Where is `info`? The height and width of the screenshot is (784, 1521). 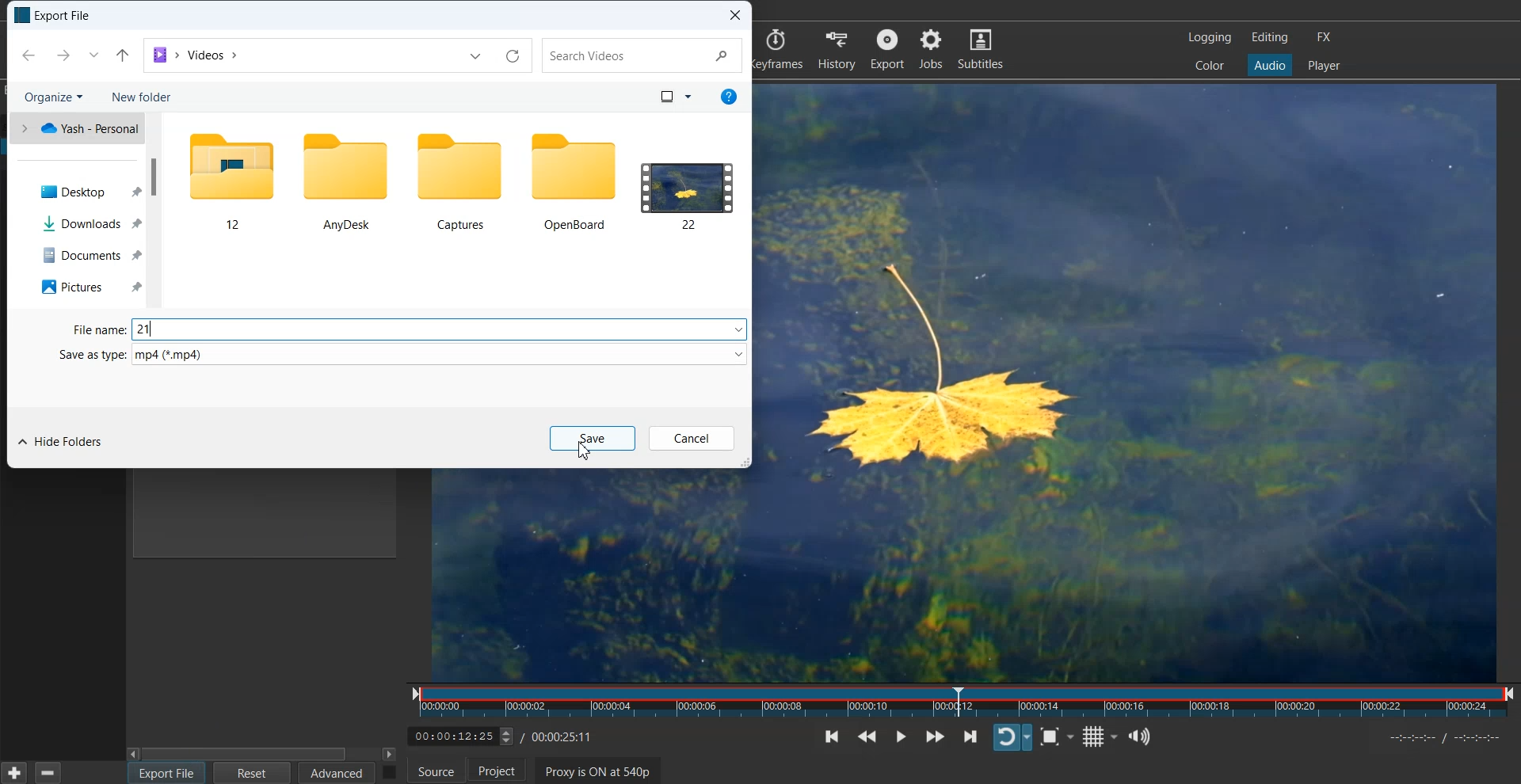 info is located at coordinates (726, 97).